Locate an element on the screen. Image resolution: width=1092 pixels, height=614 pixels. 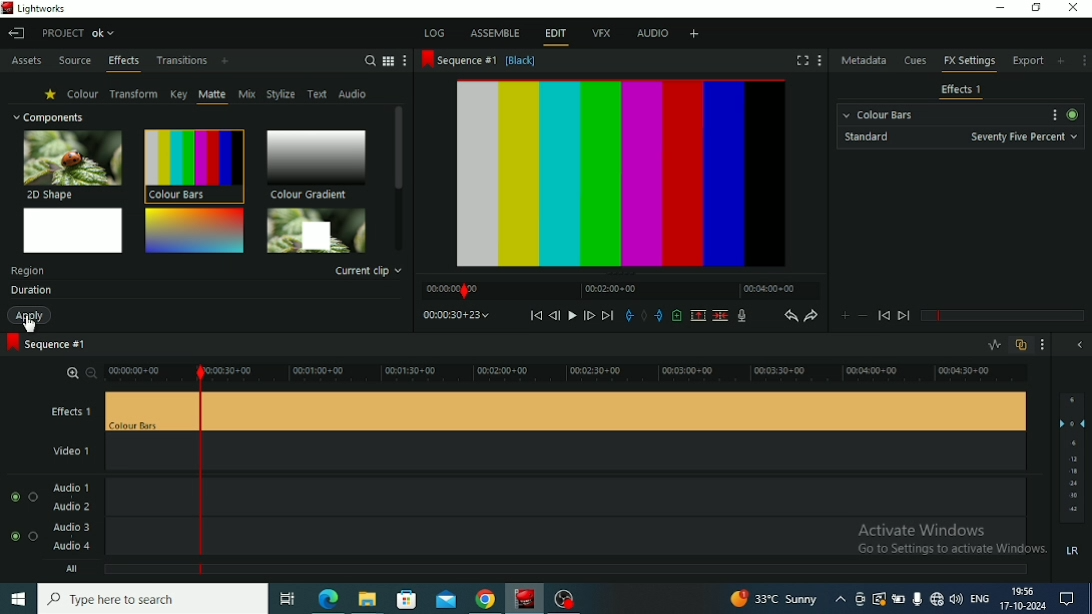
Chrome is located at coordinates (486, 598).